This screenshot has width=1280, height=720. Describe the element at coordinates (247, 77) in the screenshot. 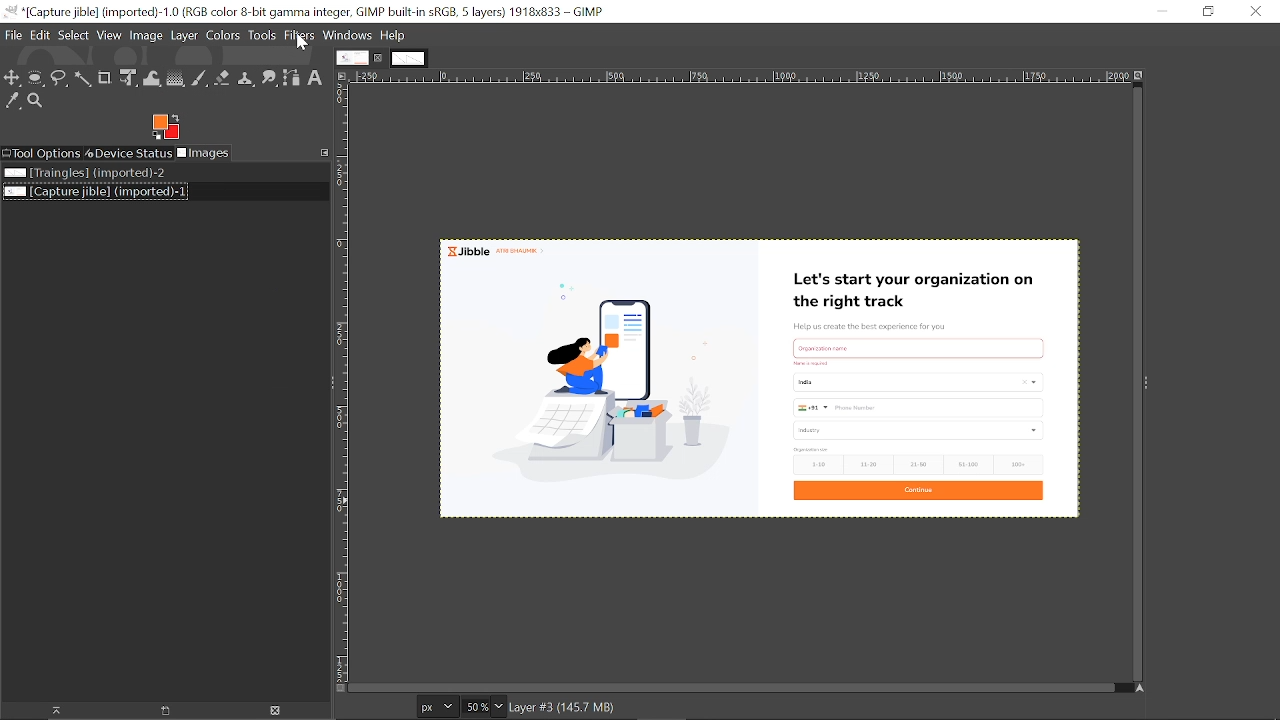

I see `Clone tool` at that location.